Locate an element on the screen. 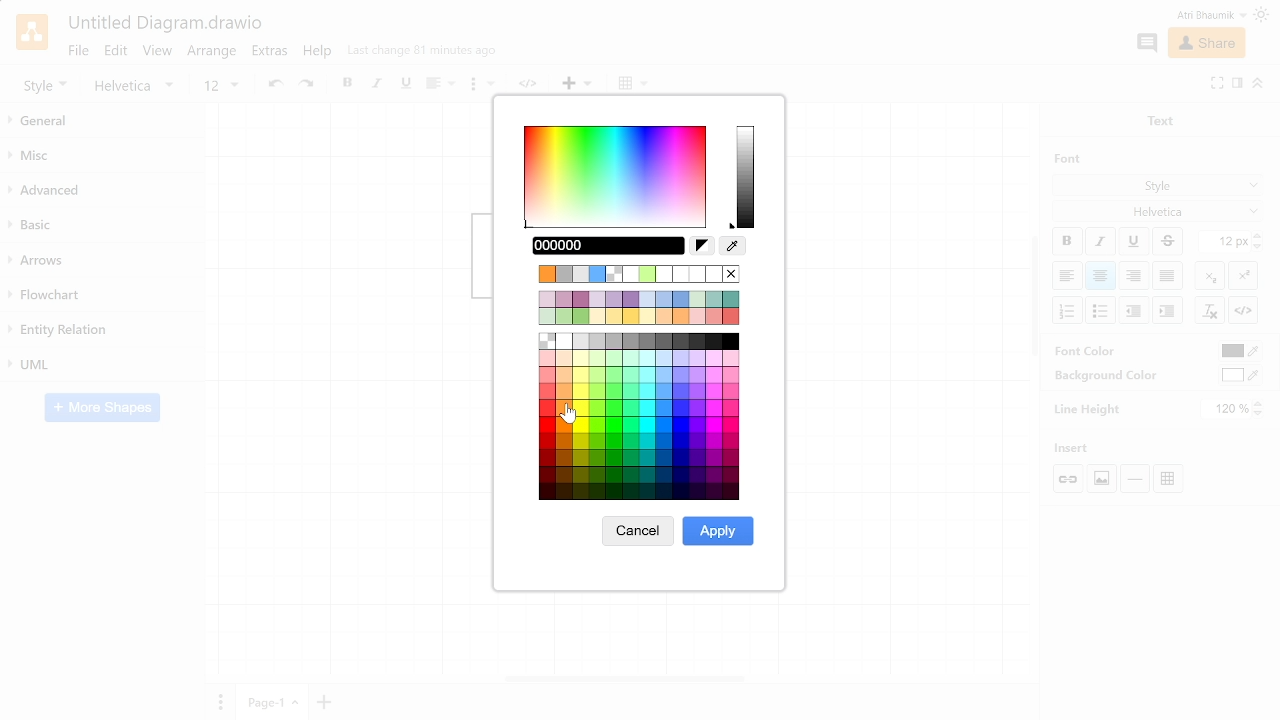  Underline is located at coordinates (1135, 242).